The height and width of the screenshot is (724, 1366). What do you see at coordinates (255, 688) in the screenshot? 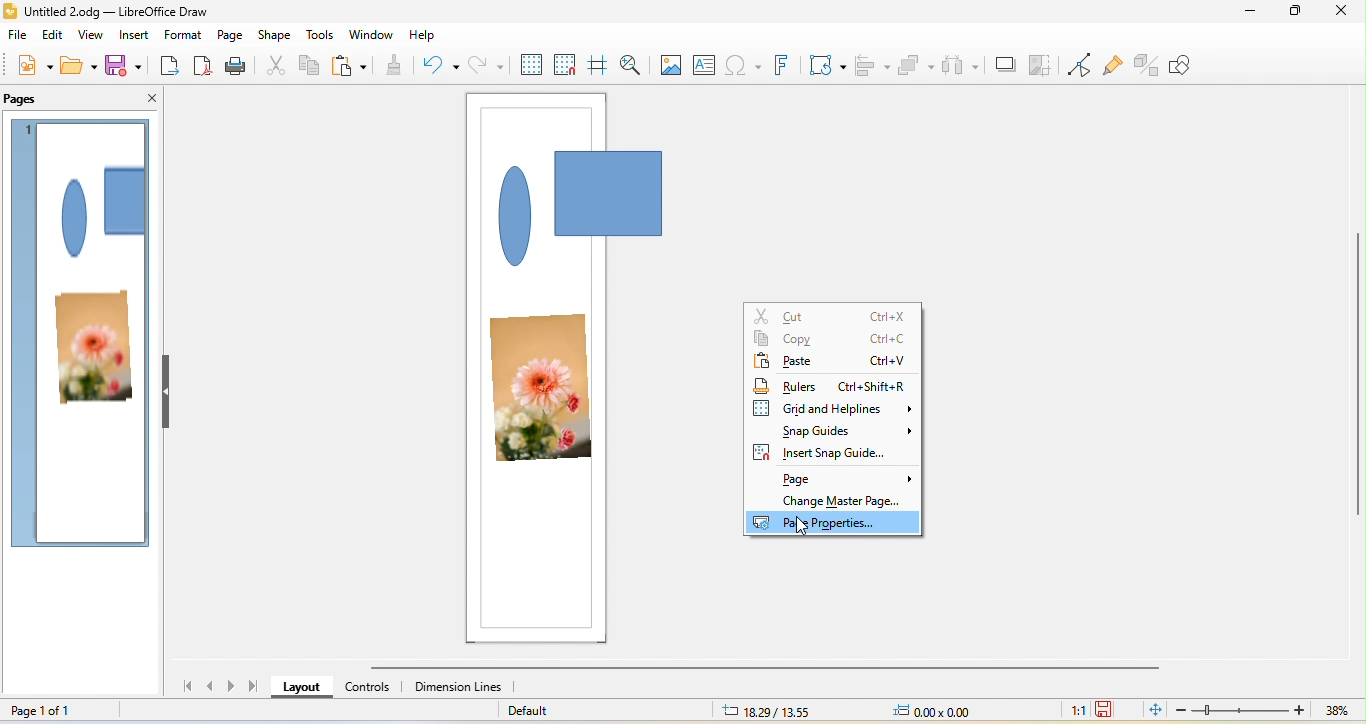
I see `last page` at bounding box center [255, 688].